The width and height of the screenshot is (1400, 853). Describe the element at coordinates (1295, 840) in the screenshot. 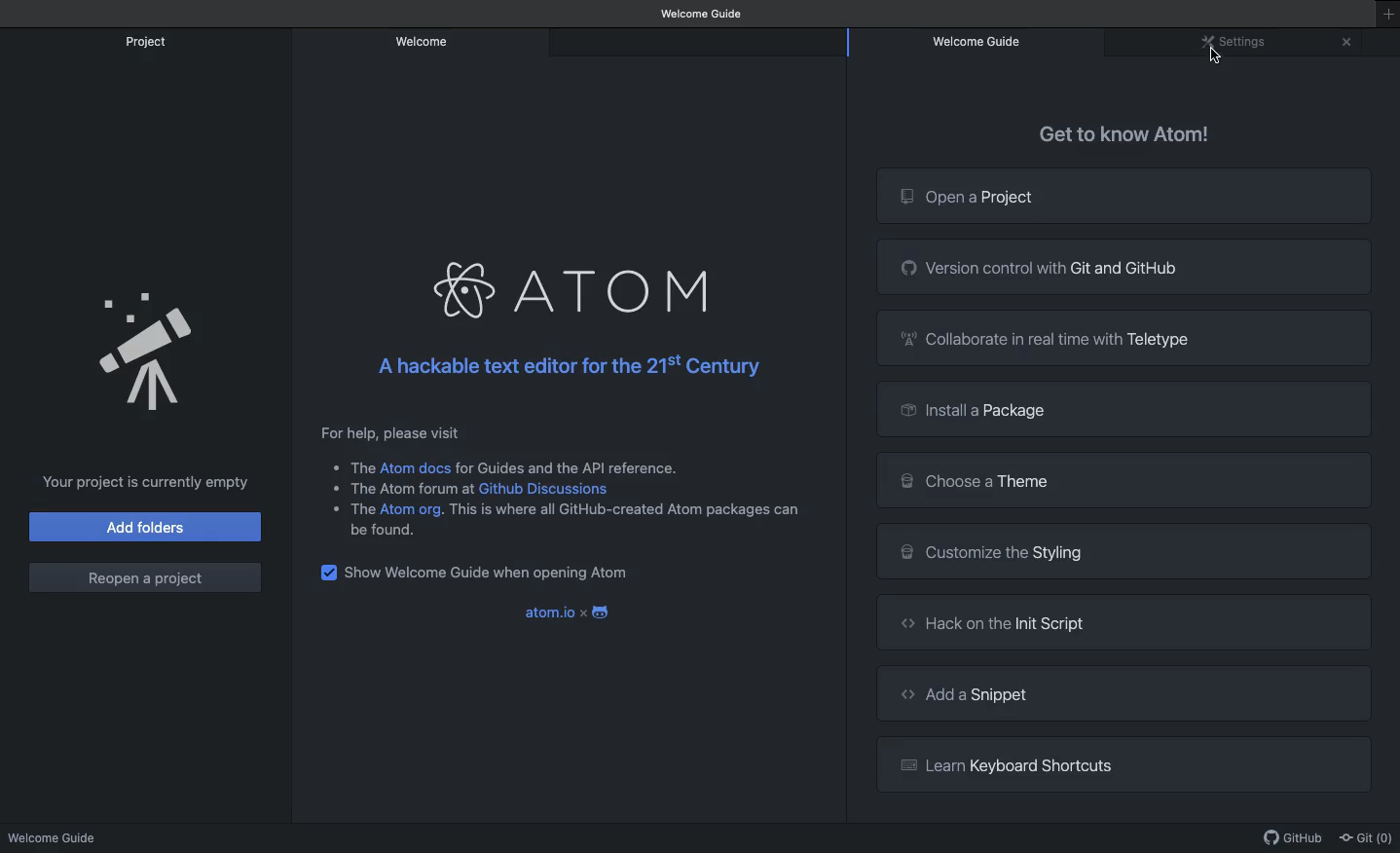

I see `GitHub` at that location.